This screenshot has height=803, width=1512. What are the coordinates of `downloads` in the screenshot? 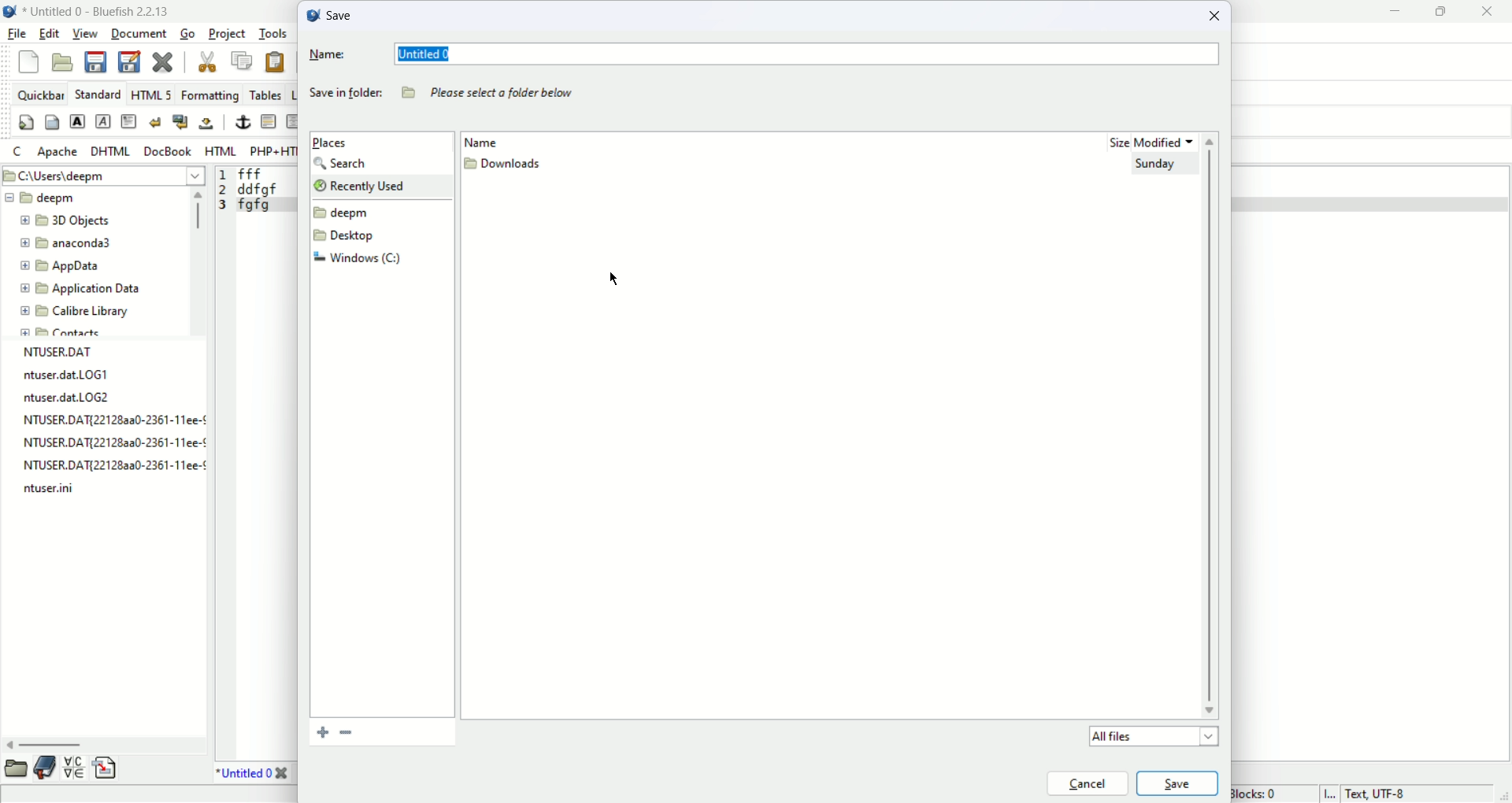 It's located at (505, 166).